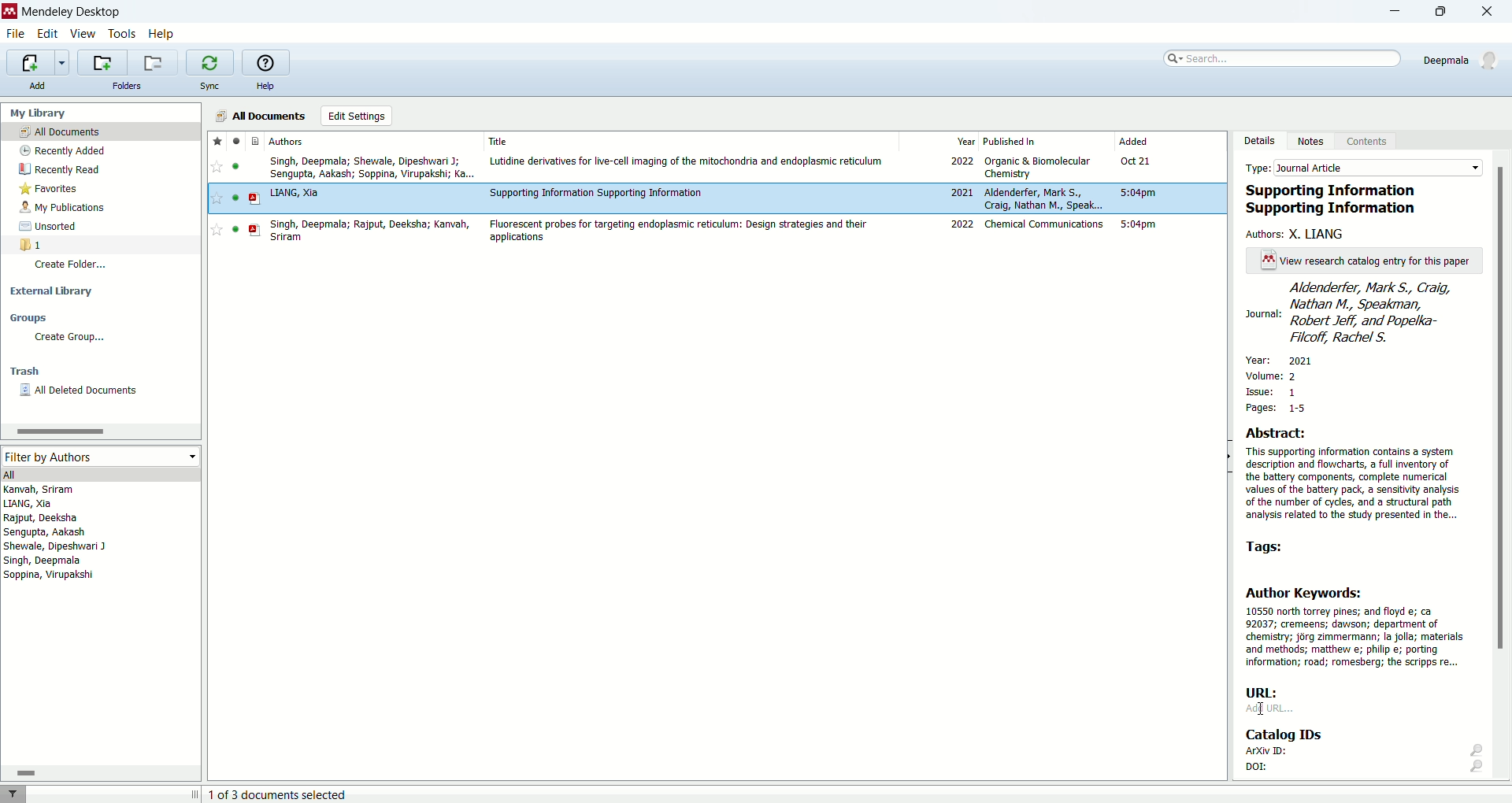 This screenshot has width=1512, height=803. I want to click on favorite, so click(216, 166).